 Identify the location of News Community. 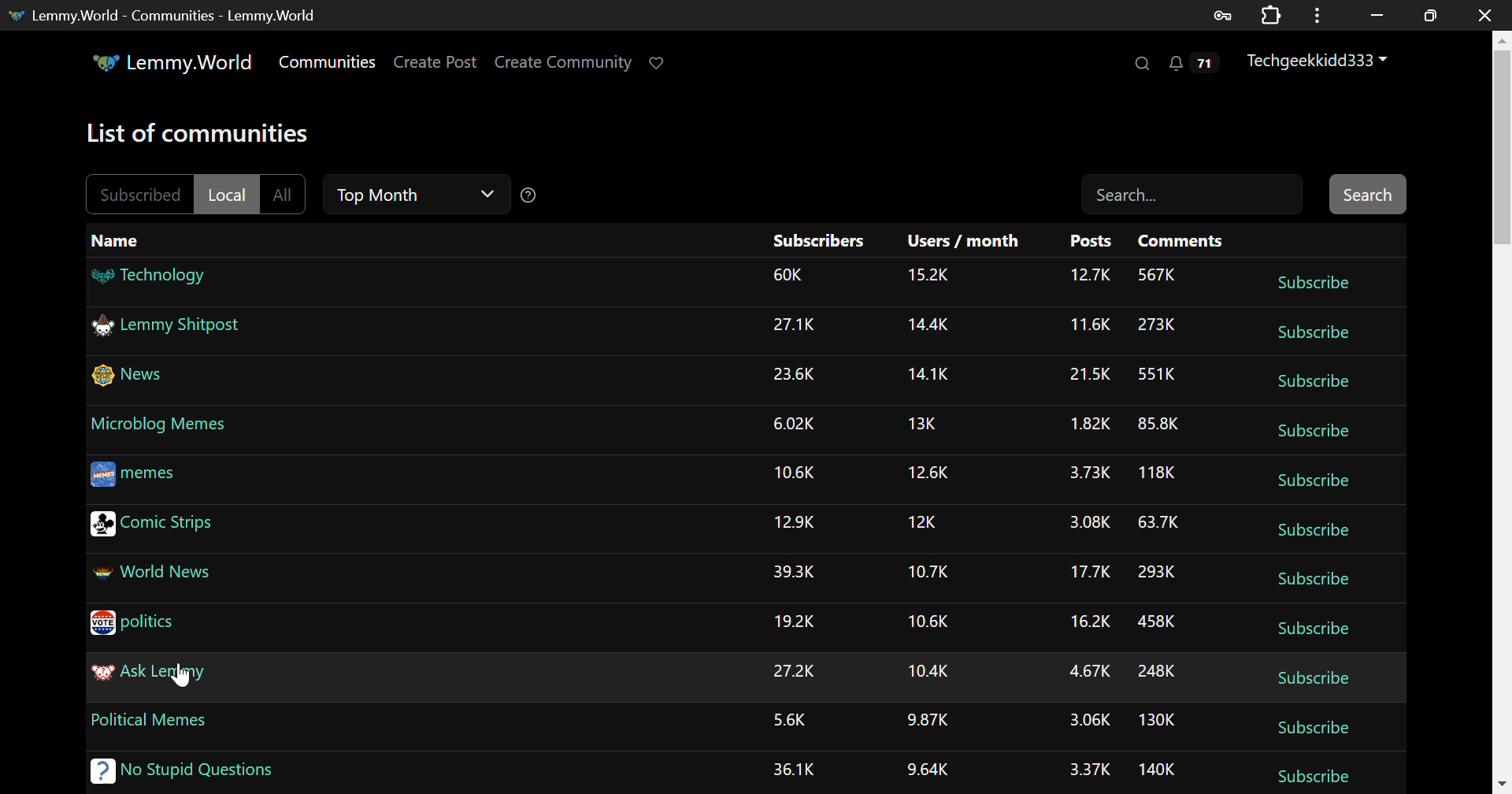
(136, 377).